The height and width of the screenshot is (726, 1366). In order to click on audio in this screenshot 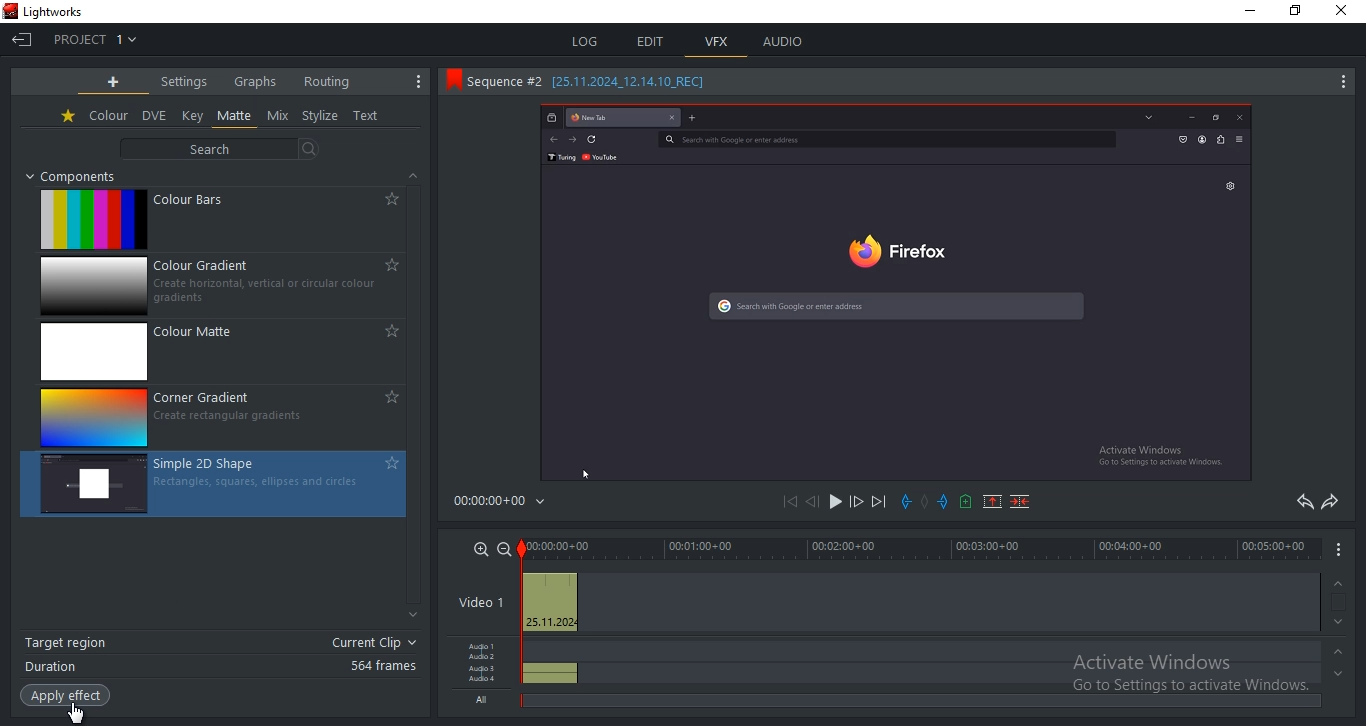, I will do `click(548, 662)`.